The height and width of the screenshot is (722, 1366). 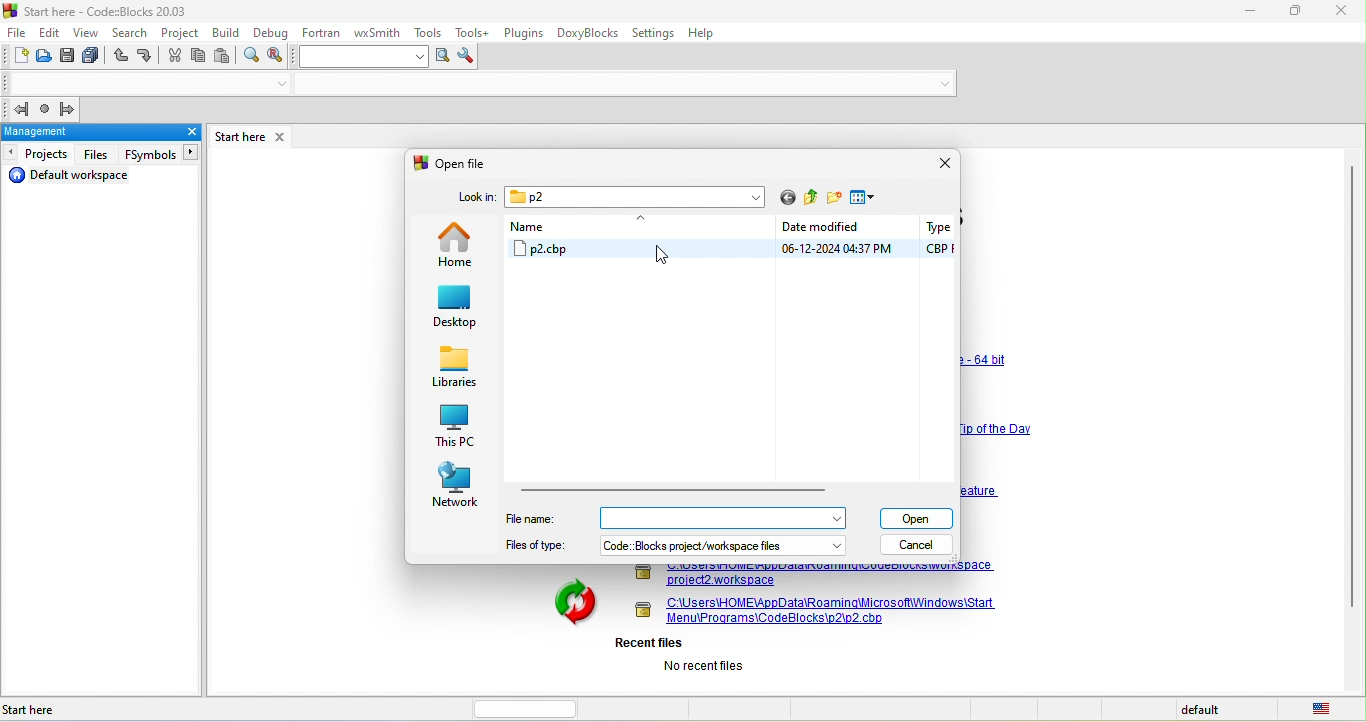 What do you see at coordinates (865, 200) in the screenshot?
I see `view menu` at bounding box center [865, 200].